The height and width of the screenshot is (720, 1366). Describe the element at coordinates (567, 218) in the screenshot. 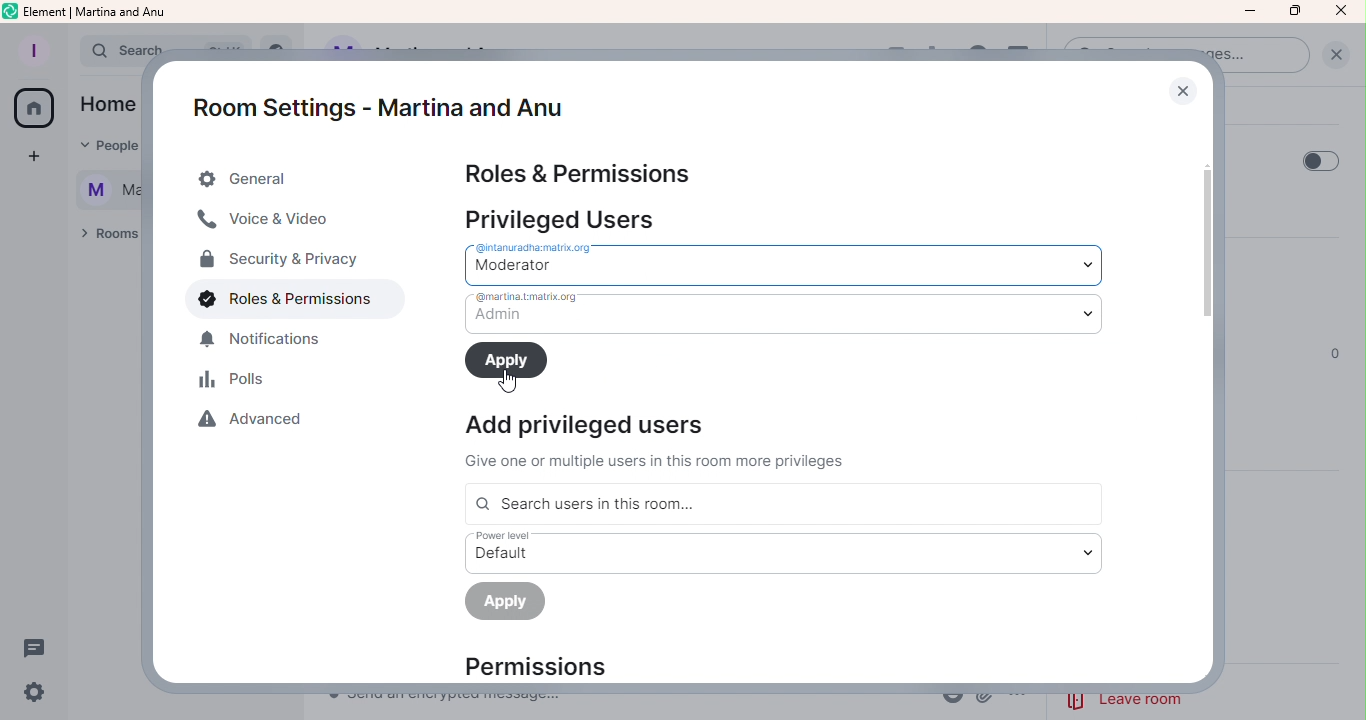

I see `Privileged users` at that location.